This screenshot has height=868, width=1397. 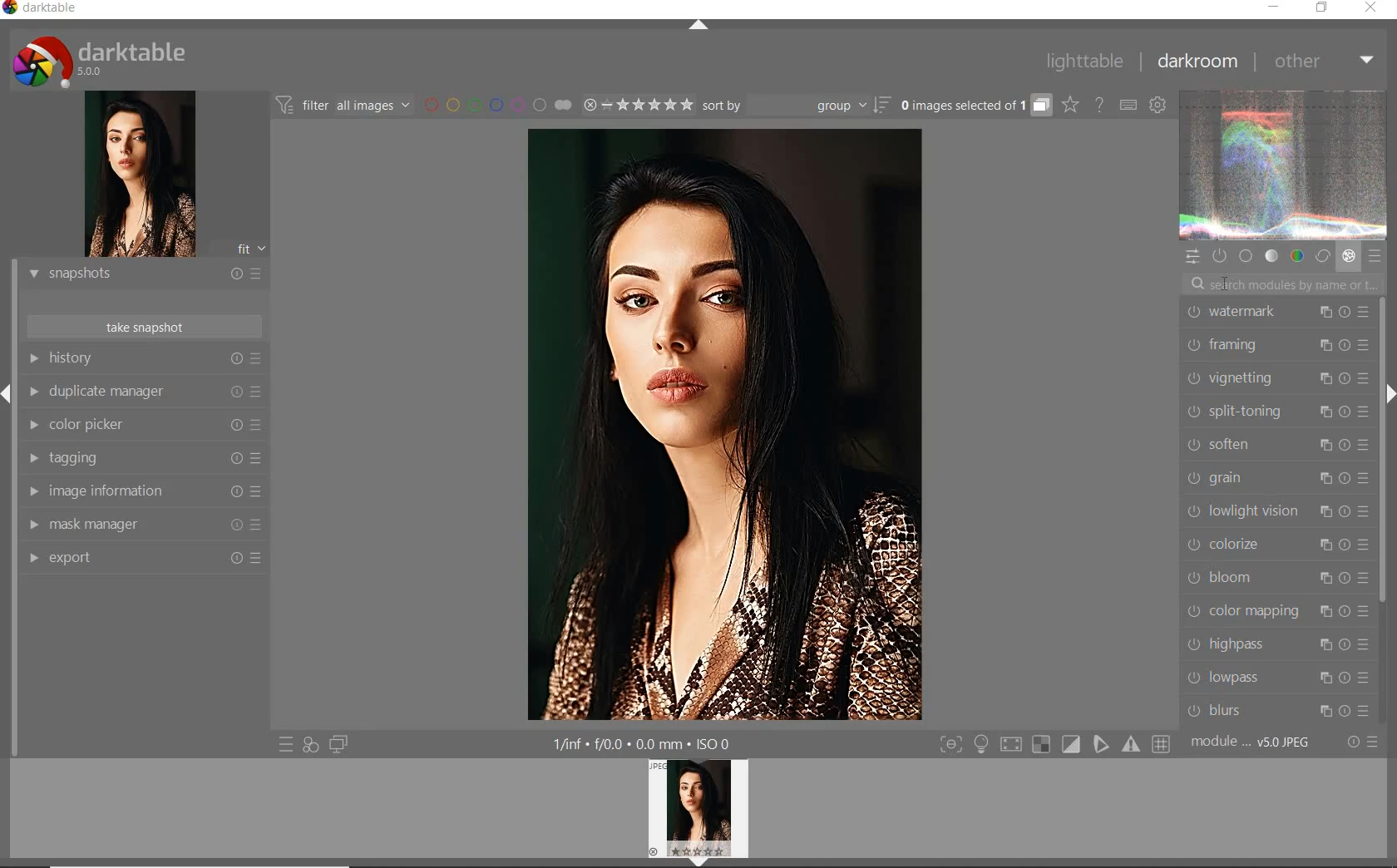 What do you see at coordinates (146, 394) in the screenshot?
I see `DUPLICATE MANAGER` at bounding box center [146, 394].